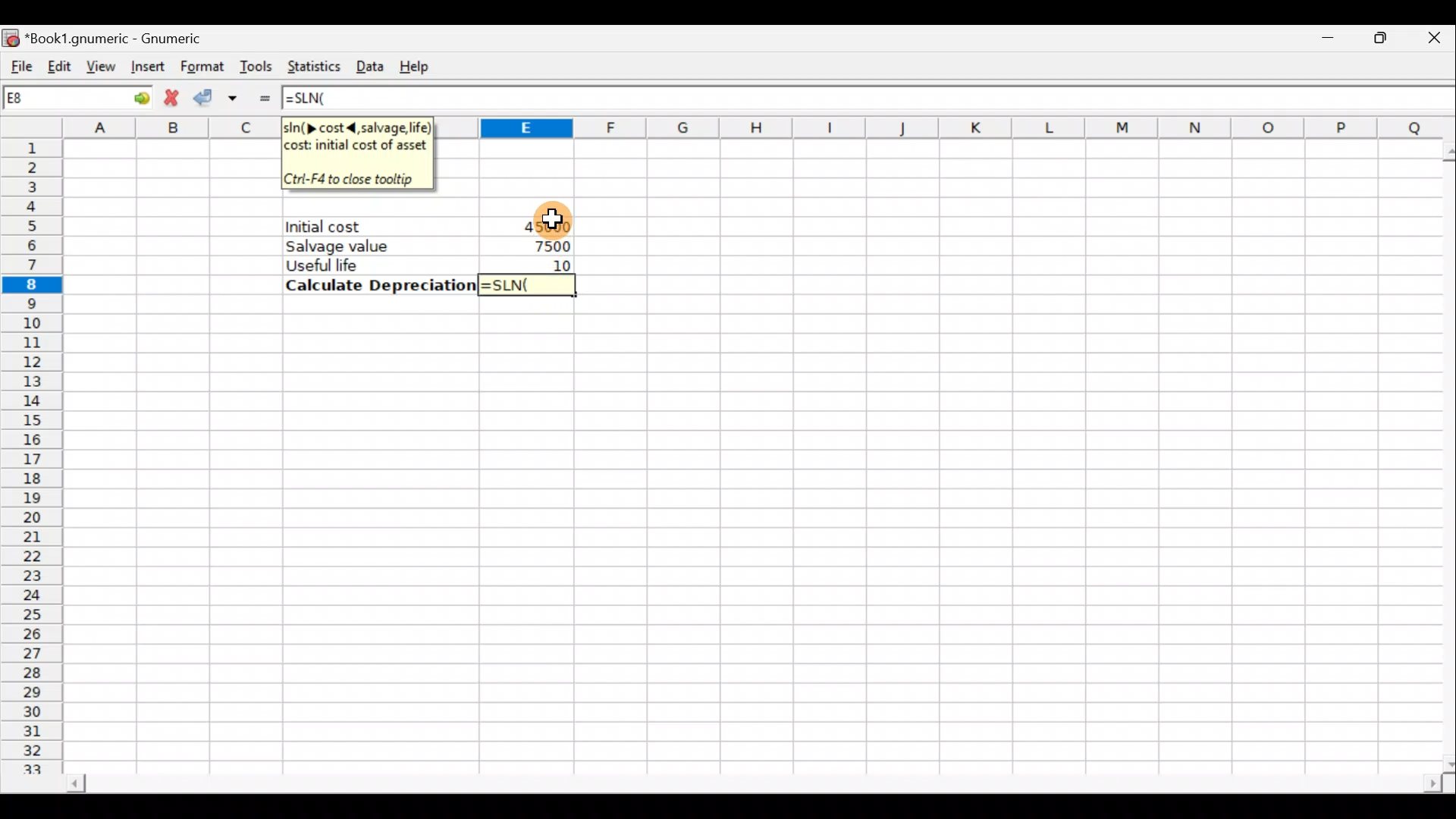 The width and height of the screenshot is (1456, 819). What do you see at coordinates (739, 780) in the screenshot?
I see `Scroll bar` at bounding box center [739, 780].